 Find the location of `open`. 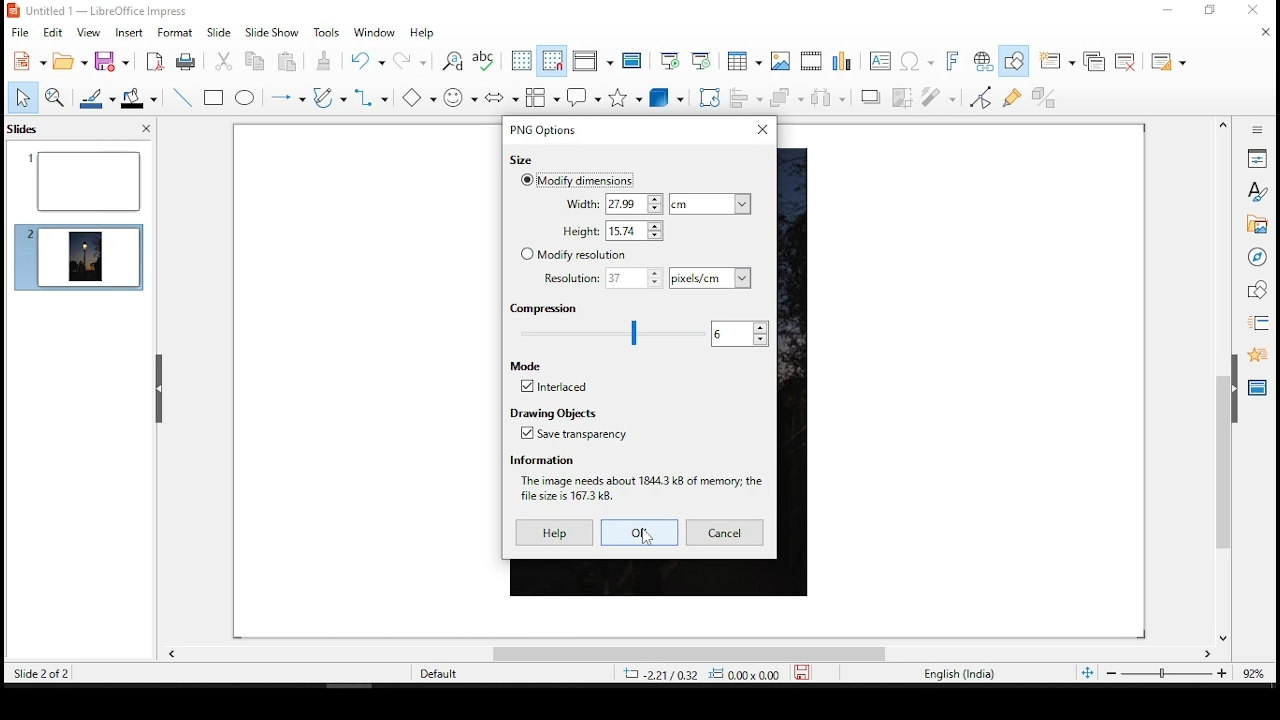

open is located at coordinates (71, 60).